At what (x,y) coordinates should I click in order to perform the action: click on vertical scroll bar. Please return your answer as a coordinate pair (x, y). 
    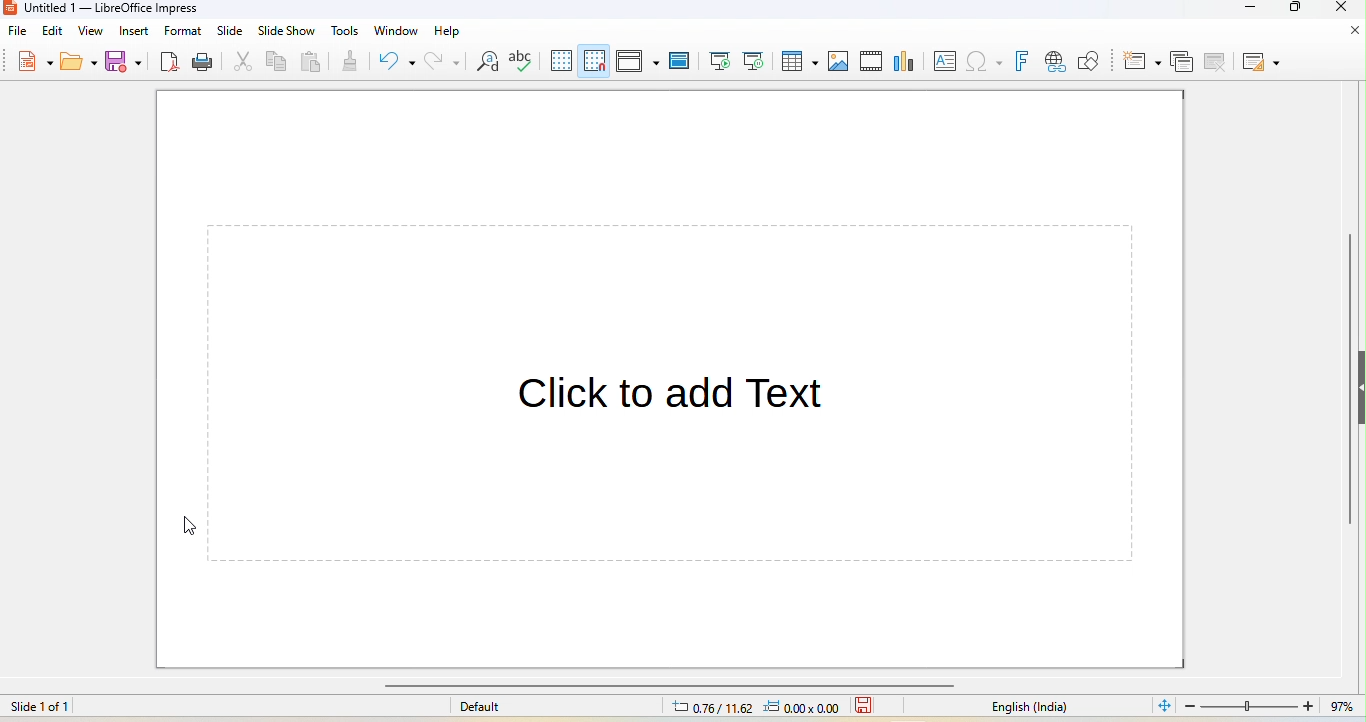
    Looking at the image, I should click on (1349, 382).